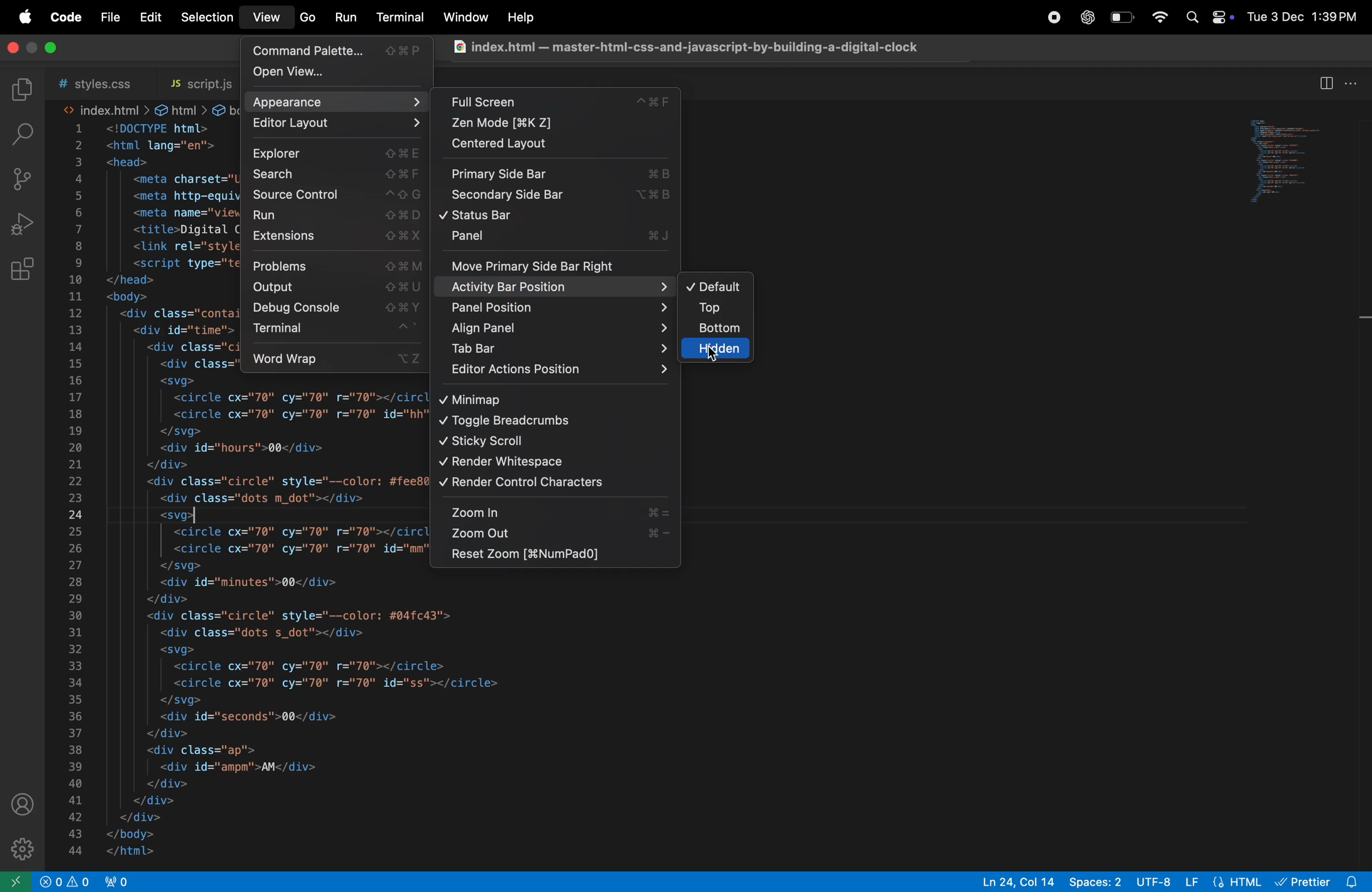 The height and width of the screenshot is (892, 1372). Describe the element at coordinates (66, 17) in the screenshot. I see `code` at that location.